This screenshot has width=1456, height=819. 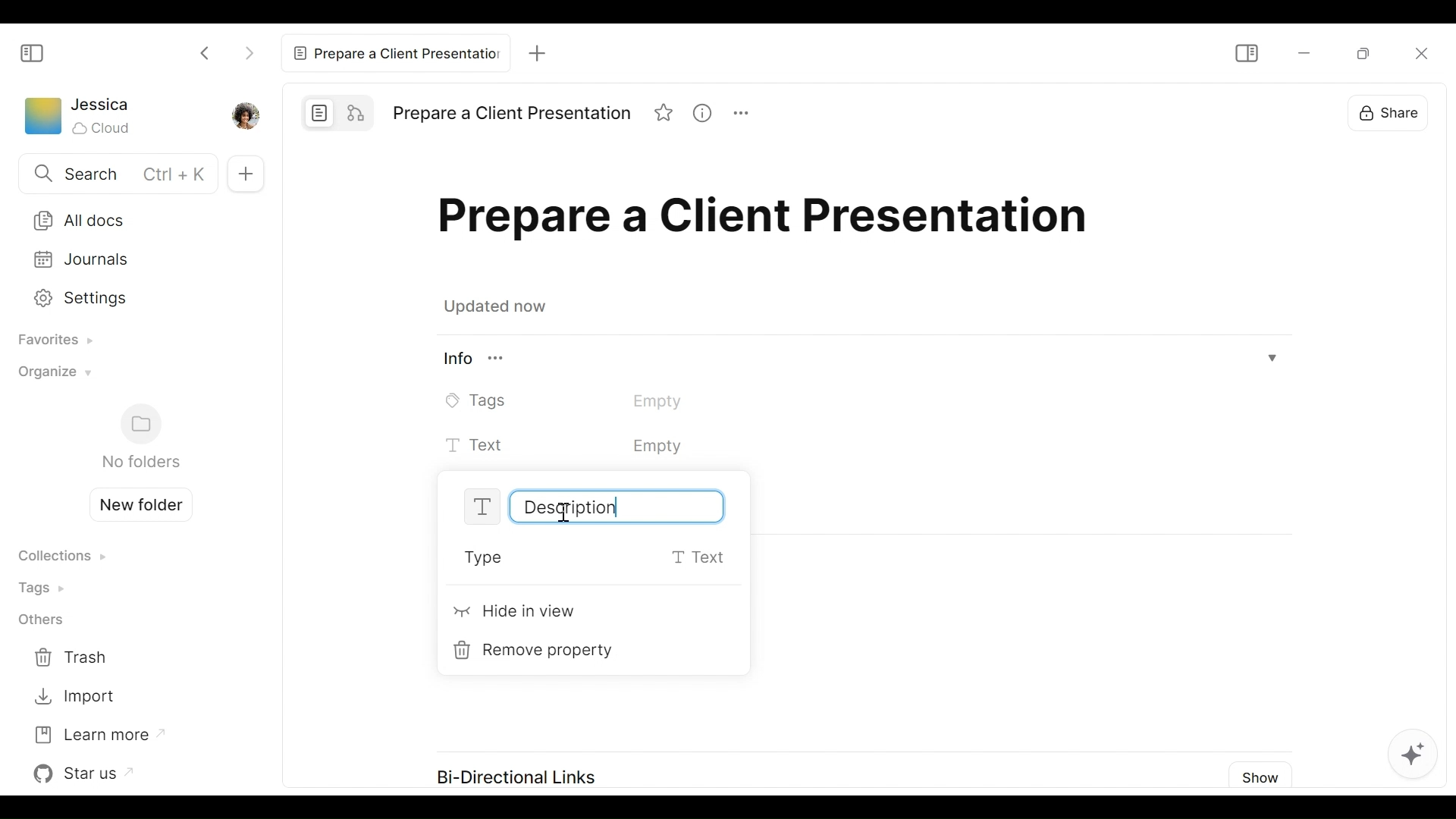 What do you see at coordinates (748, 115) in the screenshot?
I see `More` at bounding box center [748, 115].